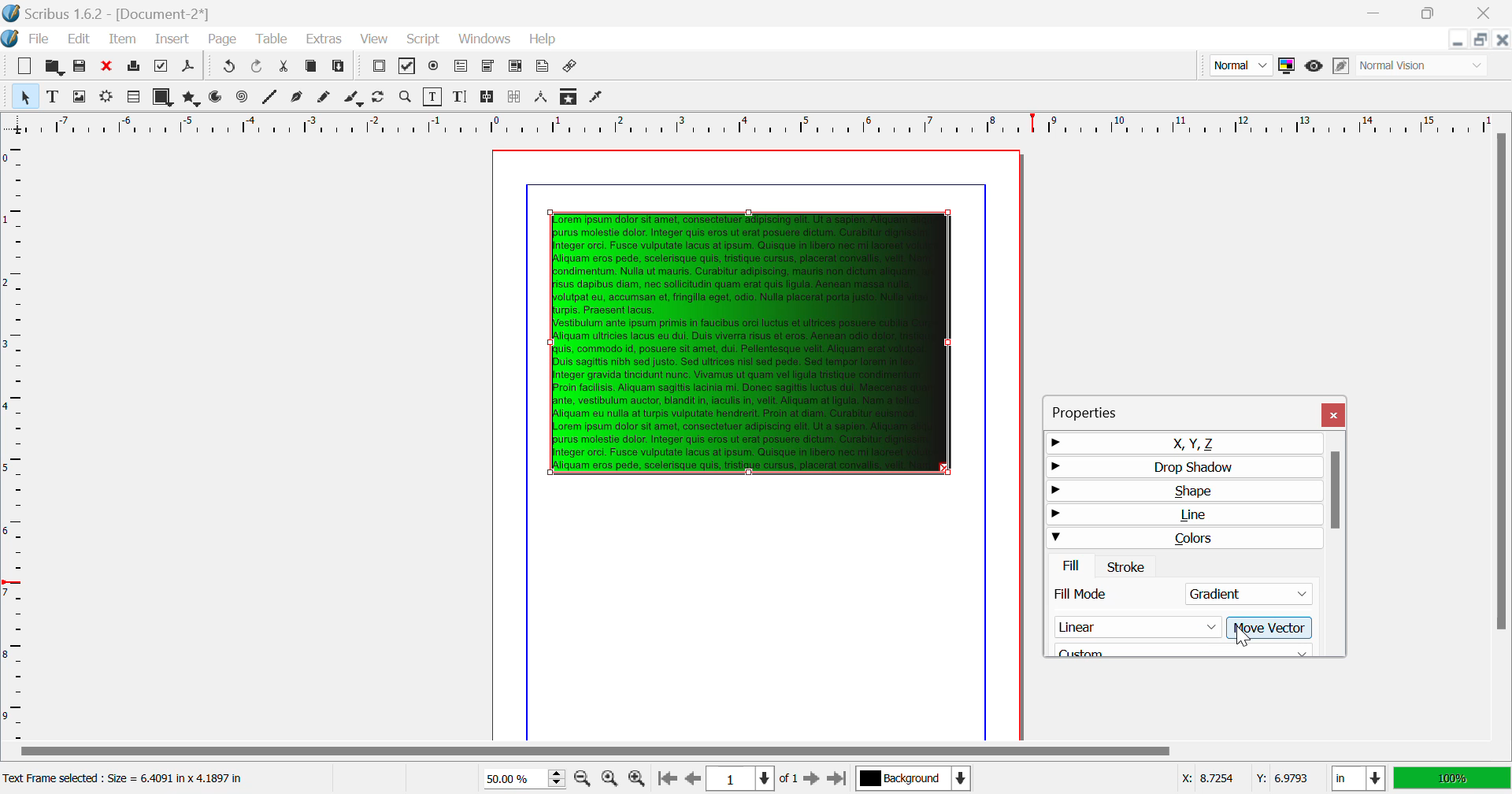 The width and height of the screenshot is (1512, 794). Describe the element at coordinates (780, 123) in the screenshot. I see `Vertical Page Margin` at that location.